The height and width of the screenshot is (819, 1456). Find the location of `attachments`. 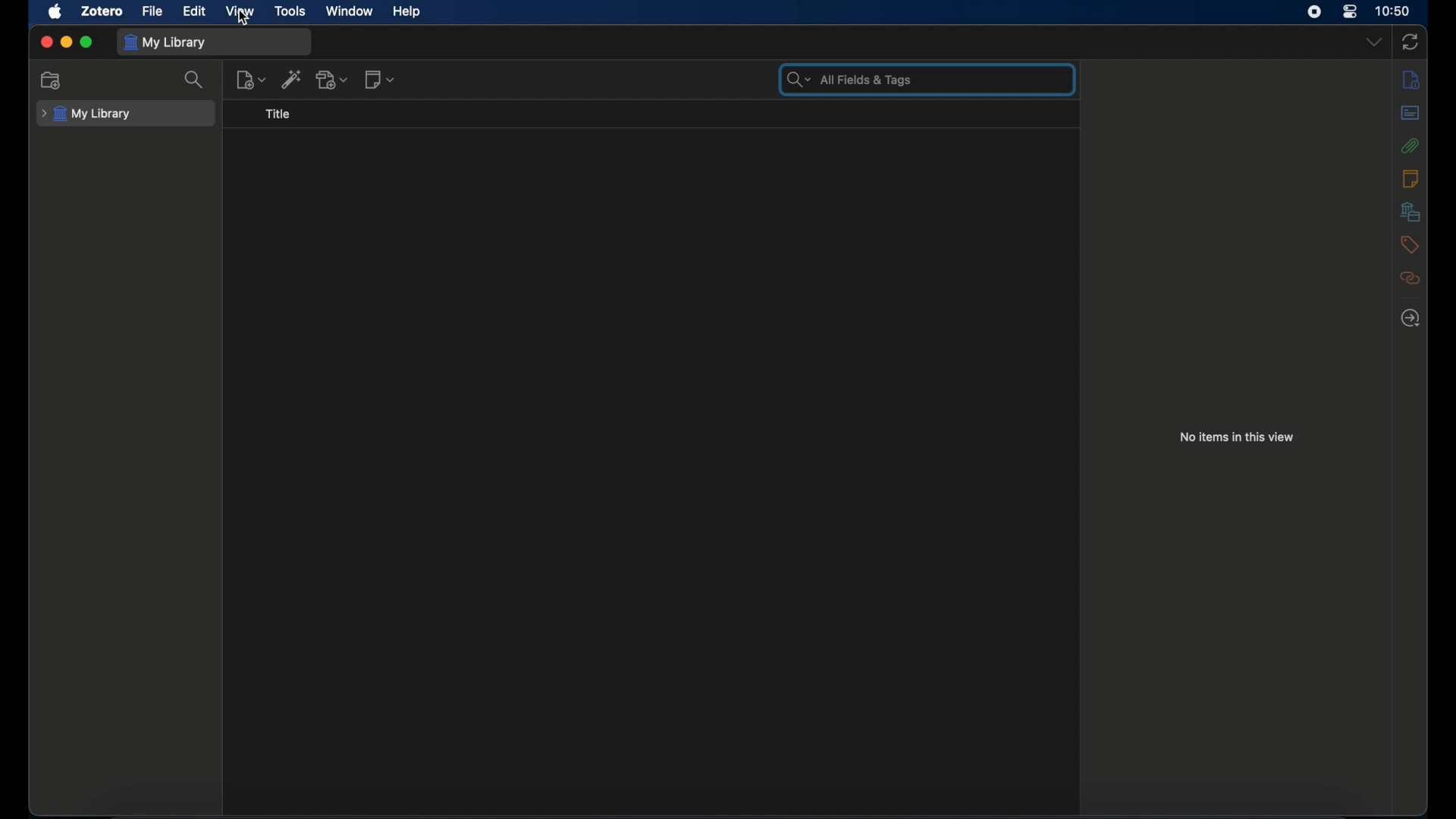

attachments is located at coordinates (1410, 146).